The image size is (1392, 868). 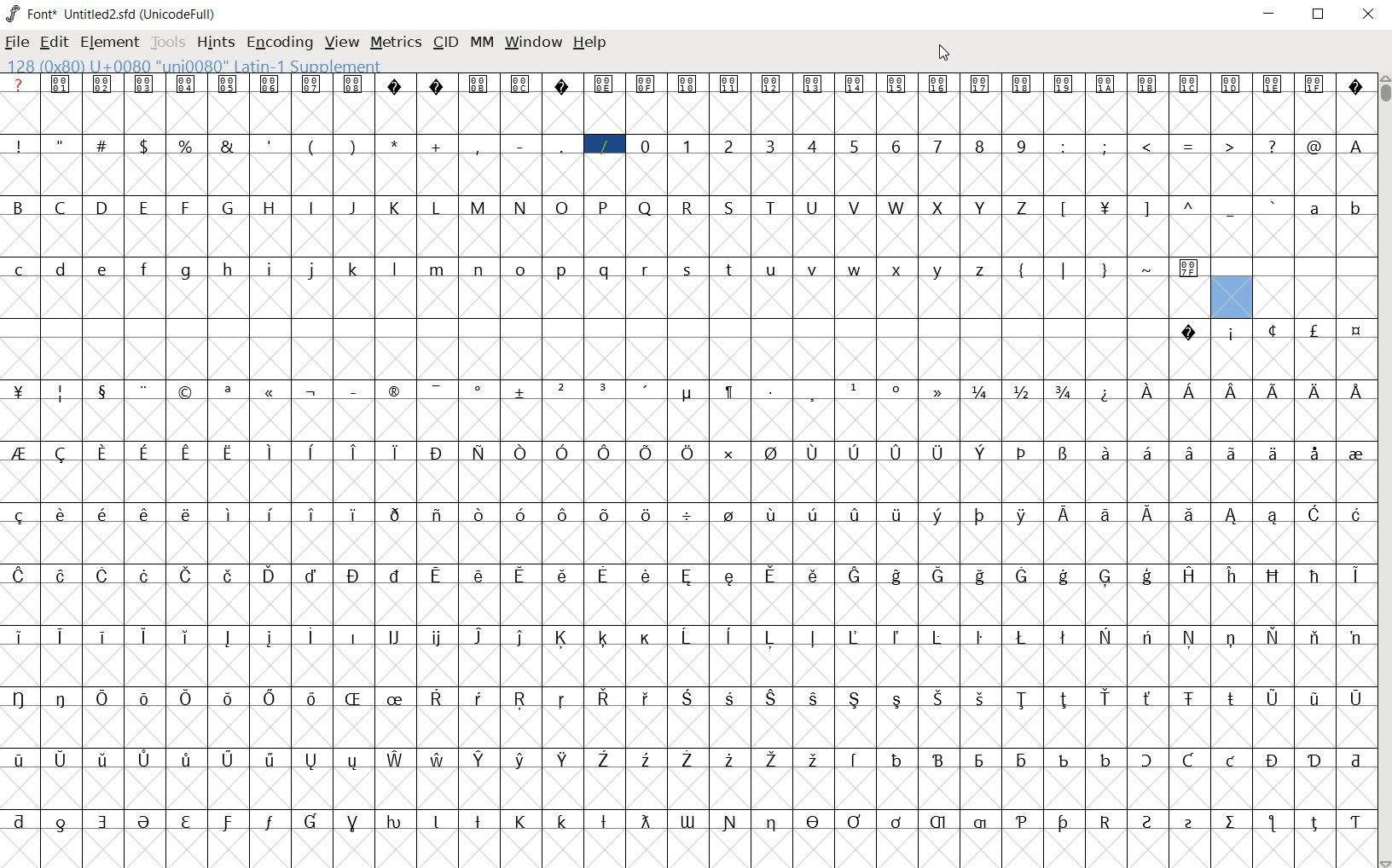 I want to click on glyph, so click(x=646, y=208).